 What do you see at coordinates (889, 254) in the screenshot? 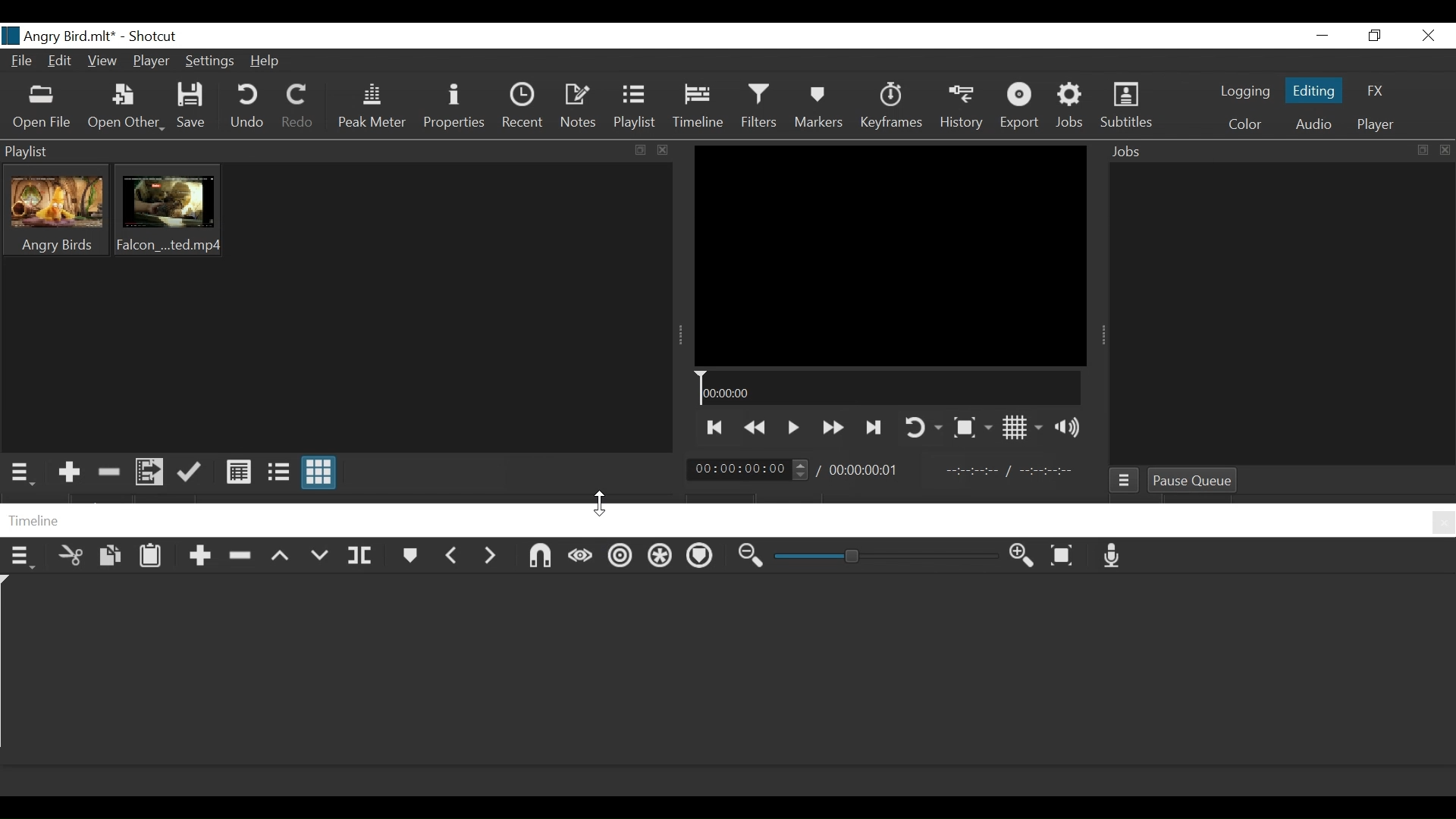
I see `Media Viewer` at bounding box center [889, 254].